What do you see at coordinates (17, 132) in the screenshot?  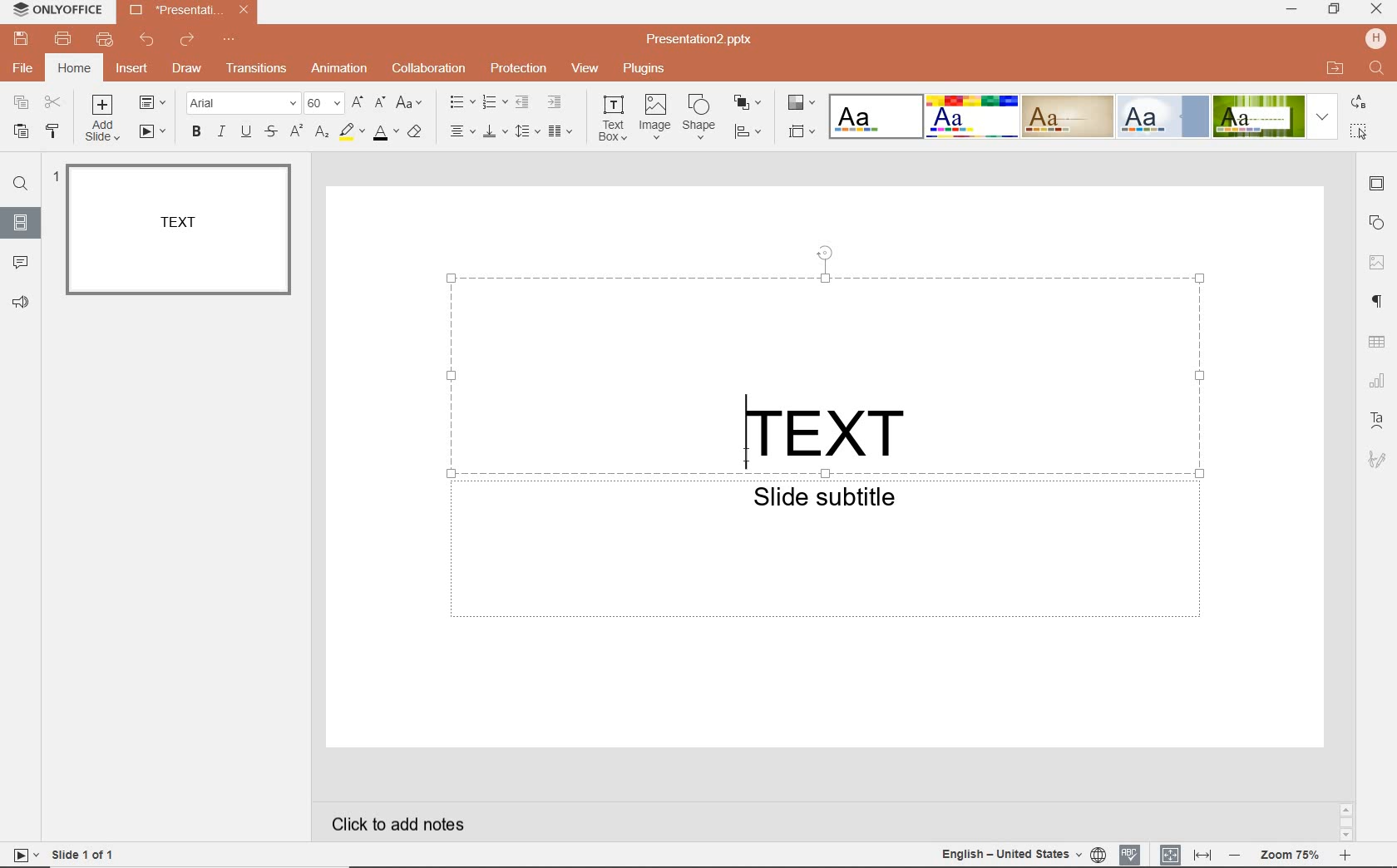 I see `PASTE` at bounding box center [17, 132].